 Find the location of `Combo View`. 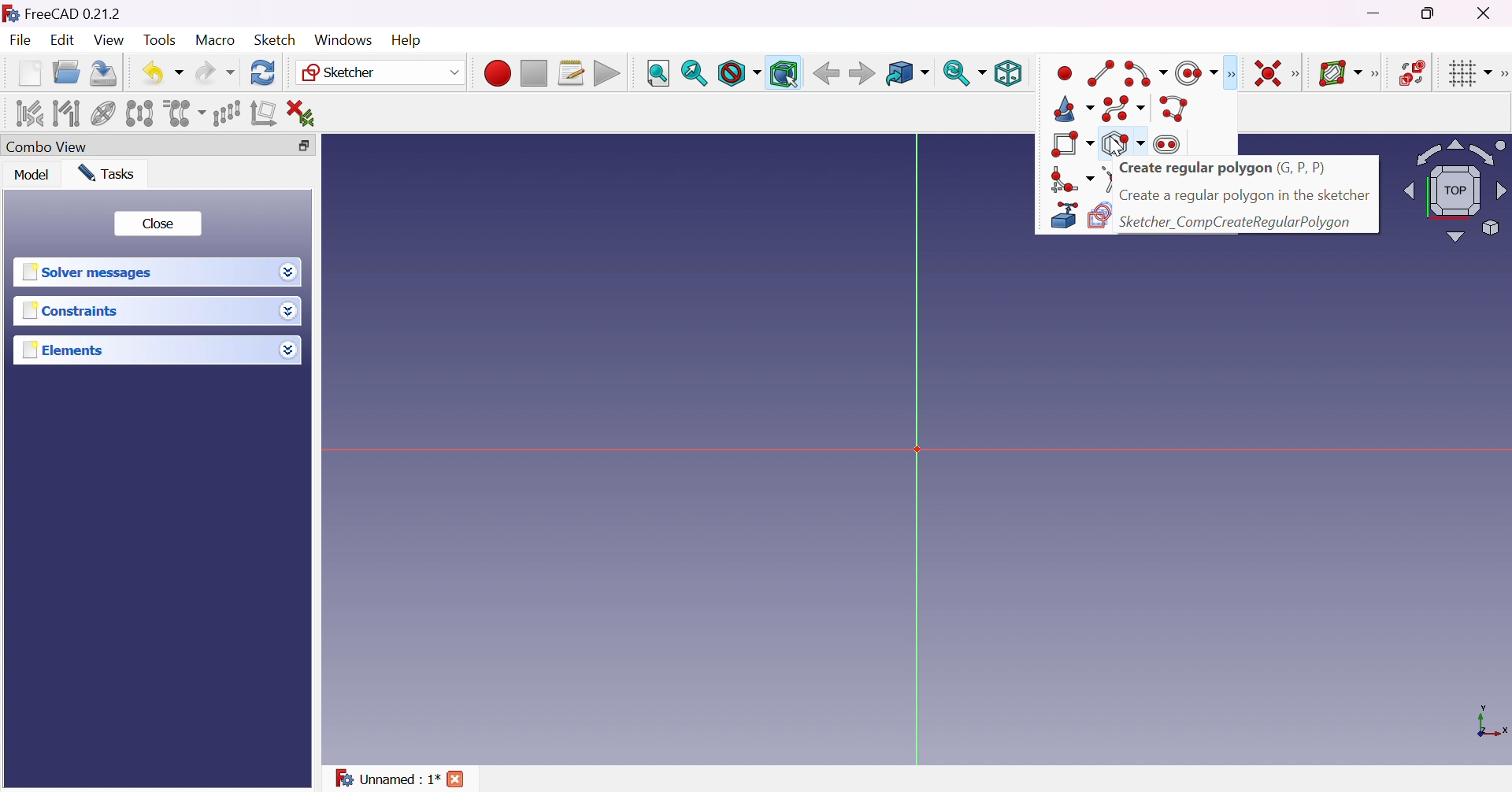

Combo View is located at coordinates (47, 146).